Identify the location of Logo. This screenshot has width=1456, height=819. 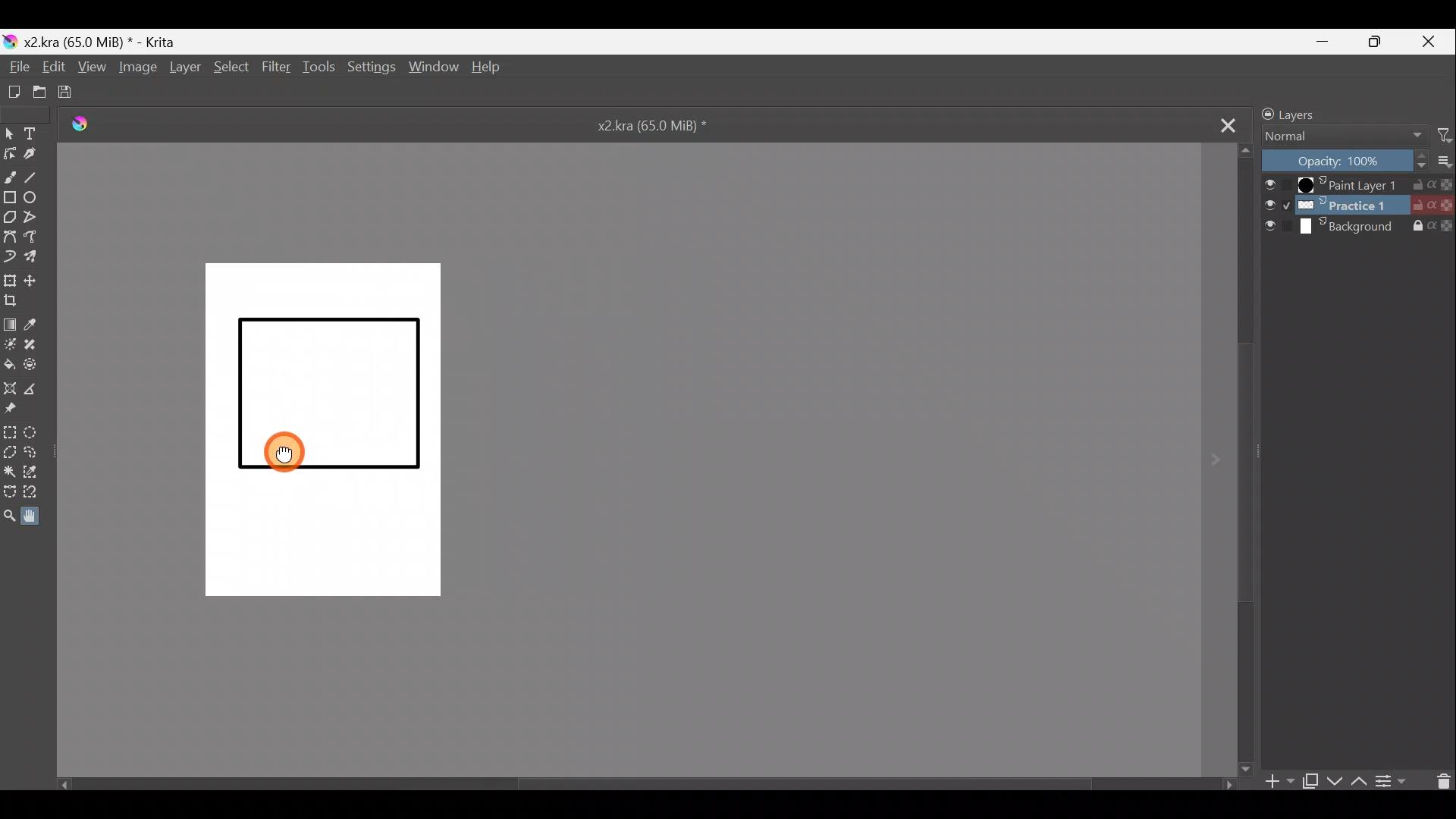
(80, 125).